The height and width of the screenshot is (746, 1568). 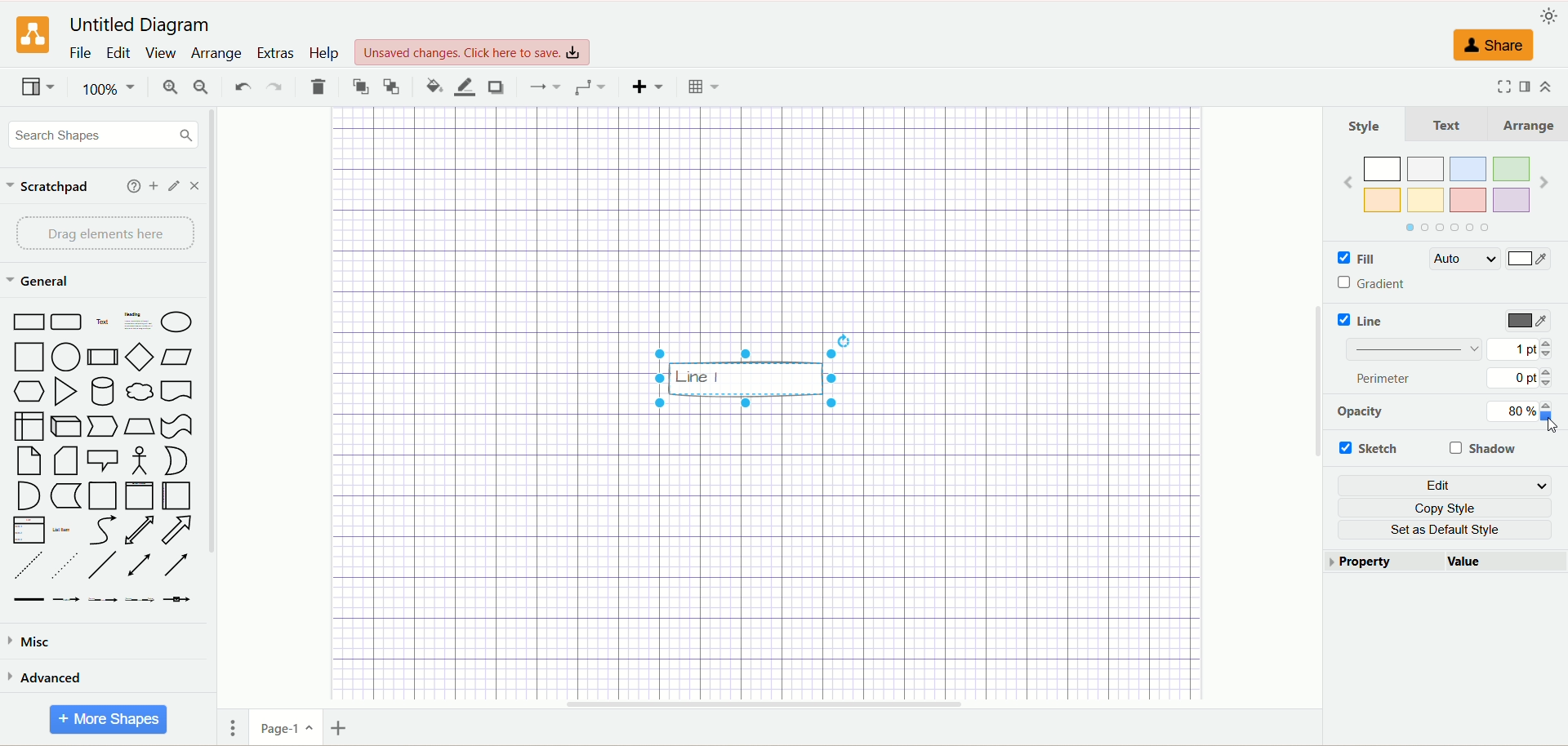 I want to click on Style, so click(x=1365, y=127).